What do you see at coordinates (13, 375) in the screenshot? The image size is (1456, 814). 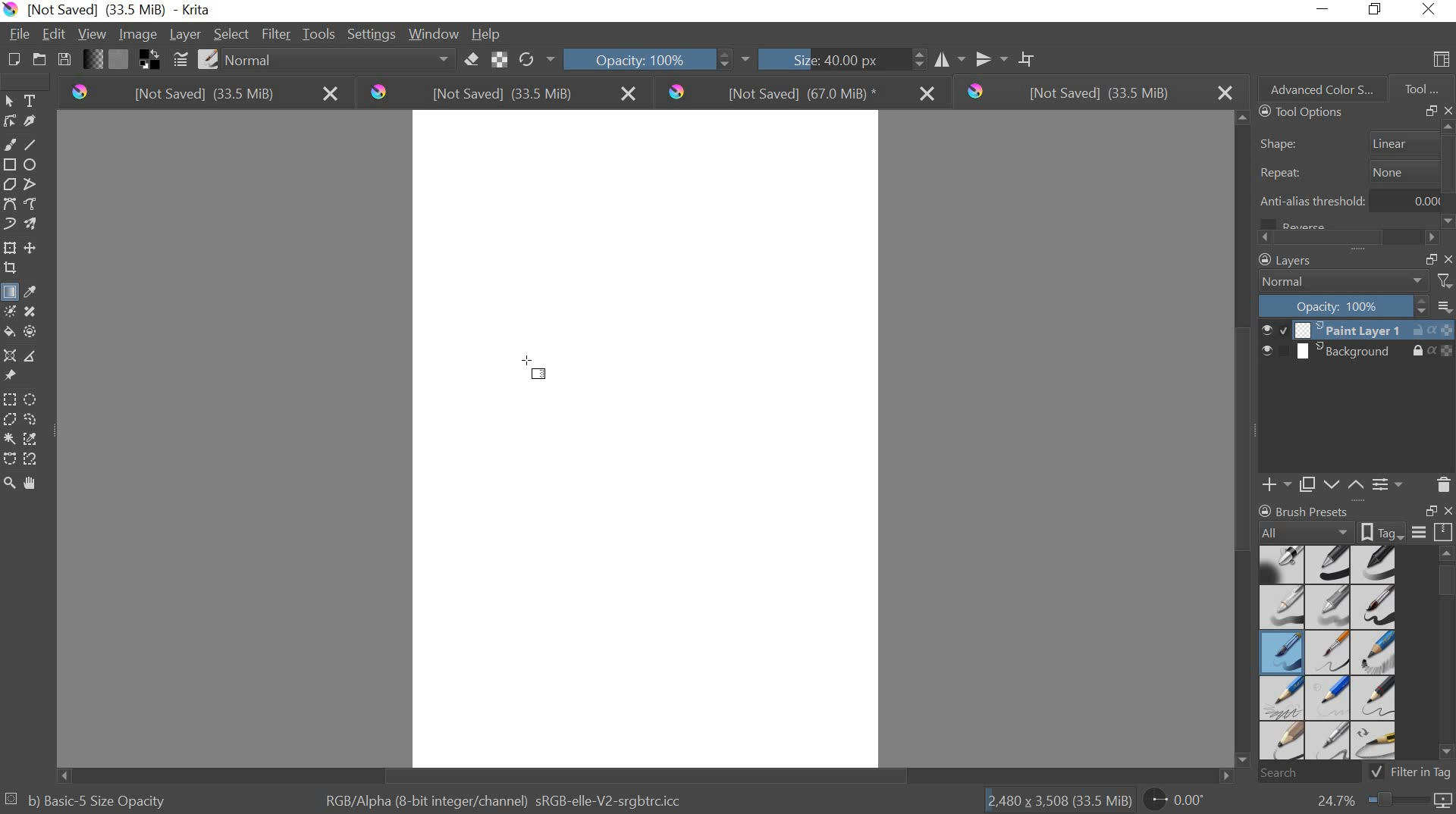 I see `reference images` at bounding box center [13, 375].